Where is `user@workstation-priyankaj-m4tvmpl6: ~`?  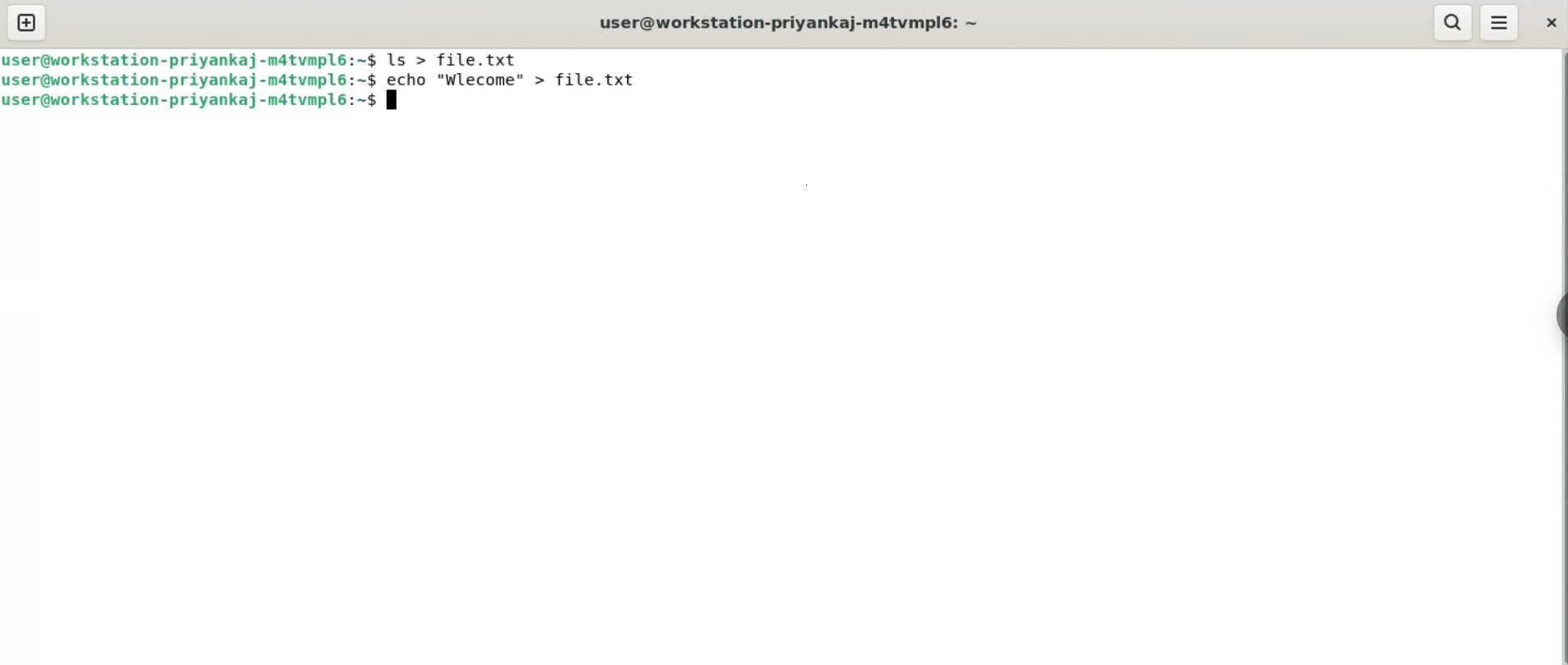
user@workstation-priyankaj-m4tvmpl6: ~ is located at coordinates (797, 23).